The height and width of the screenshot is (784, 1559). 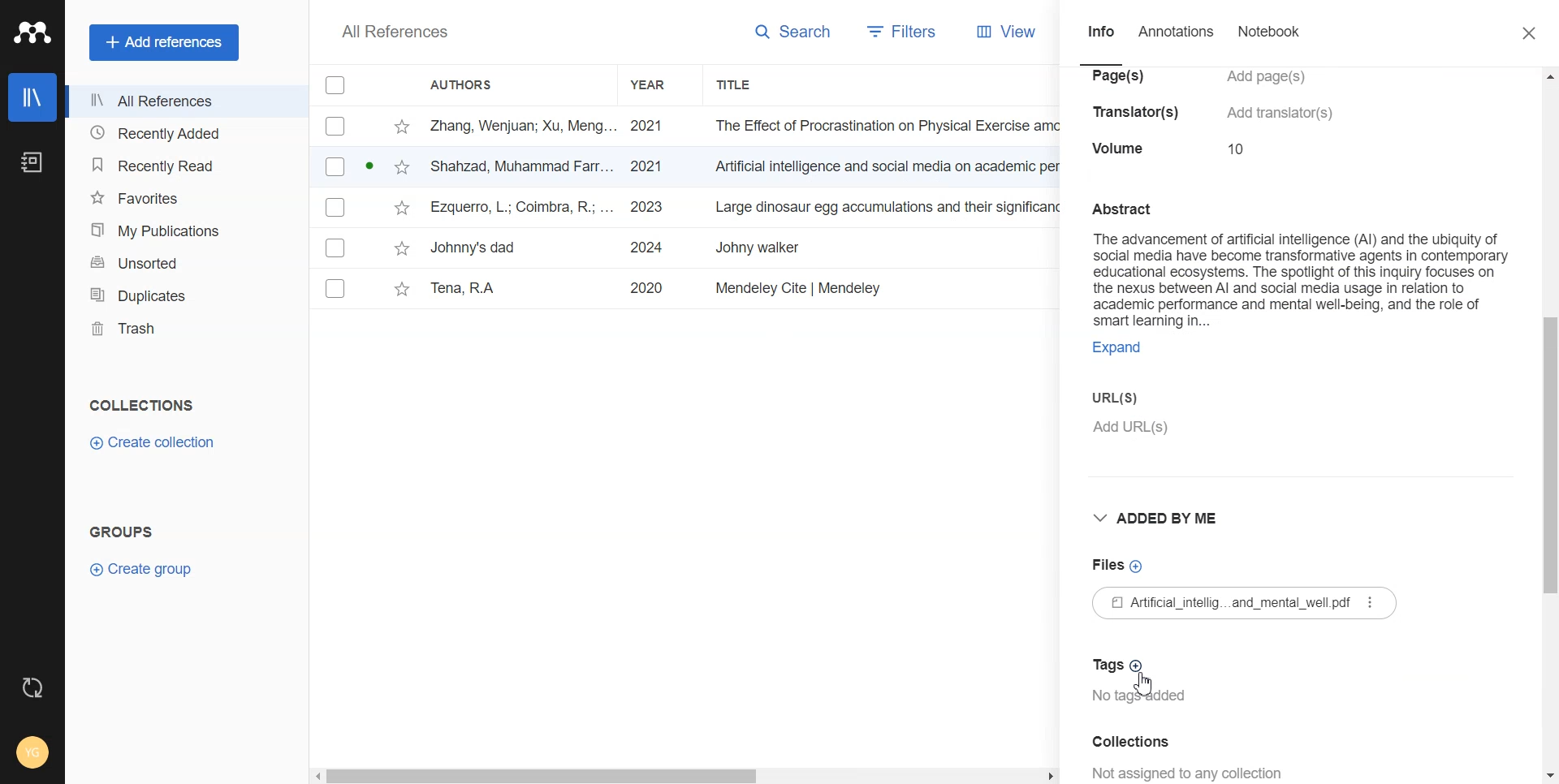 What do you see at coordinates (1000, 32) in the screenshot?
I see `View` at bounding box center [1000, 32].